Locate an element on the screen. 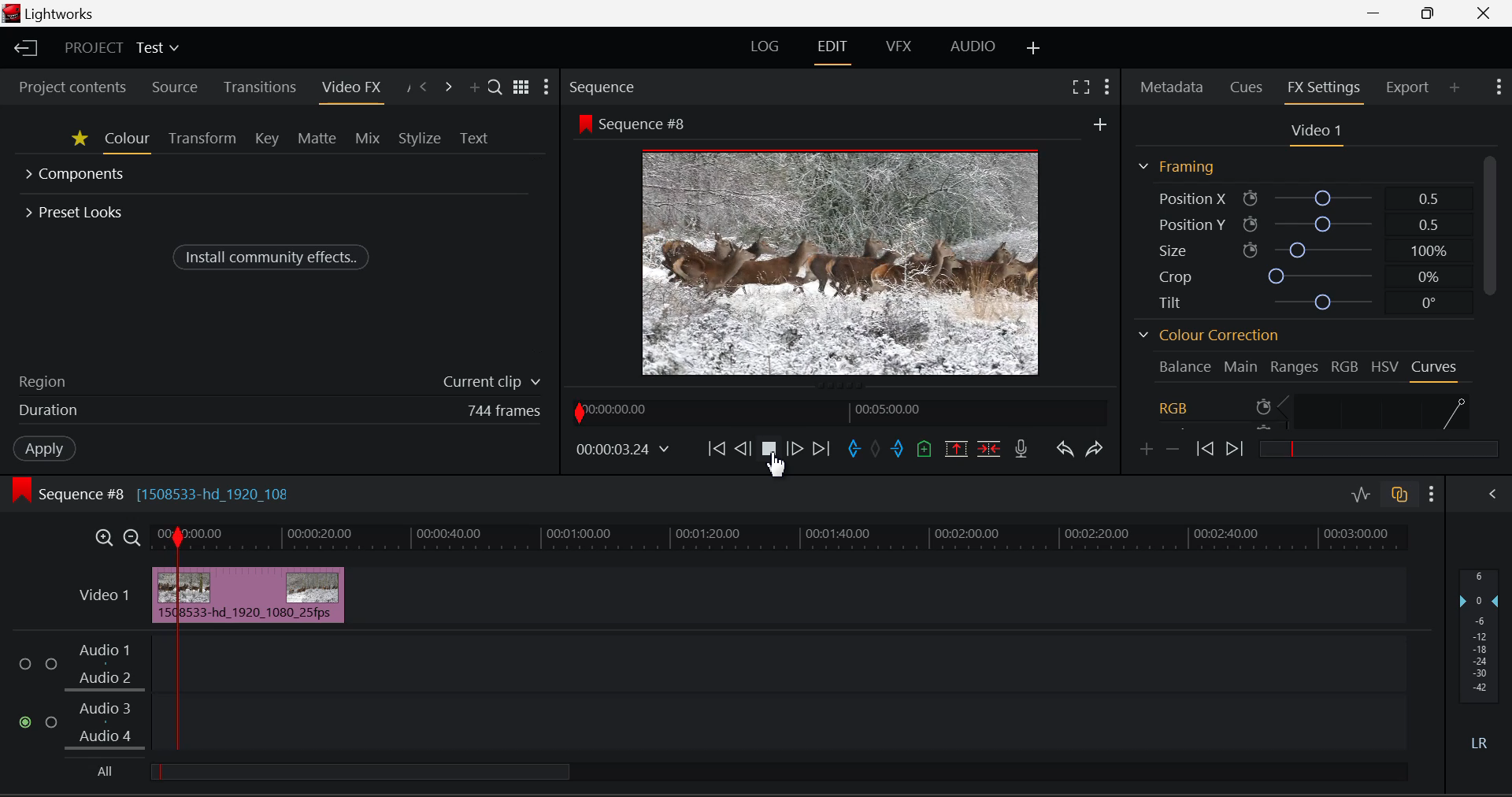 This screenshot has height=797, width=1512. Components Section is located at coordinates (77, 176).